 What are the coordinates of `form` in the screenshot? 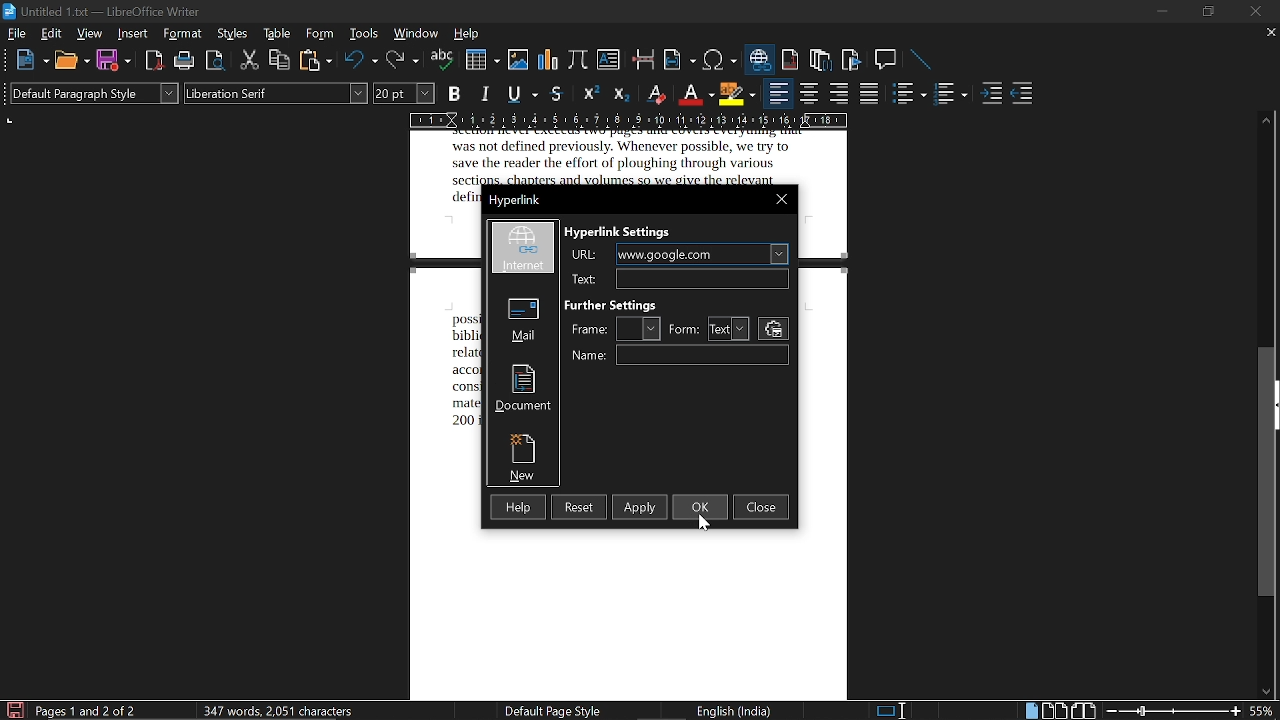 It's located at (321, 35).